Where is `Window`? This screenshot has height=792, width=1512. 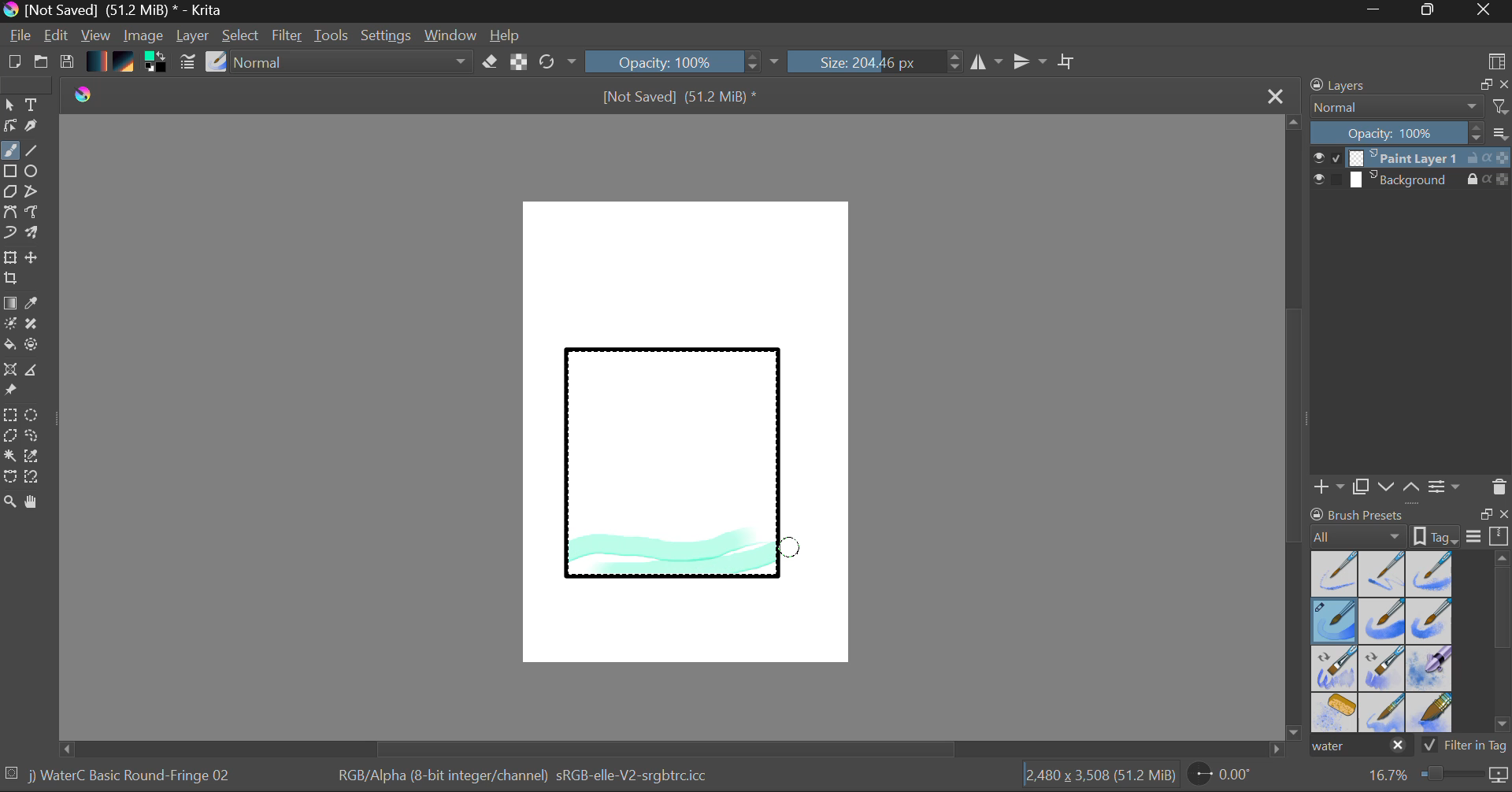 Window is located at coordinates (453, 35).